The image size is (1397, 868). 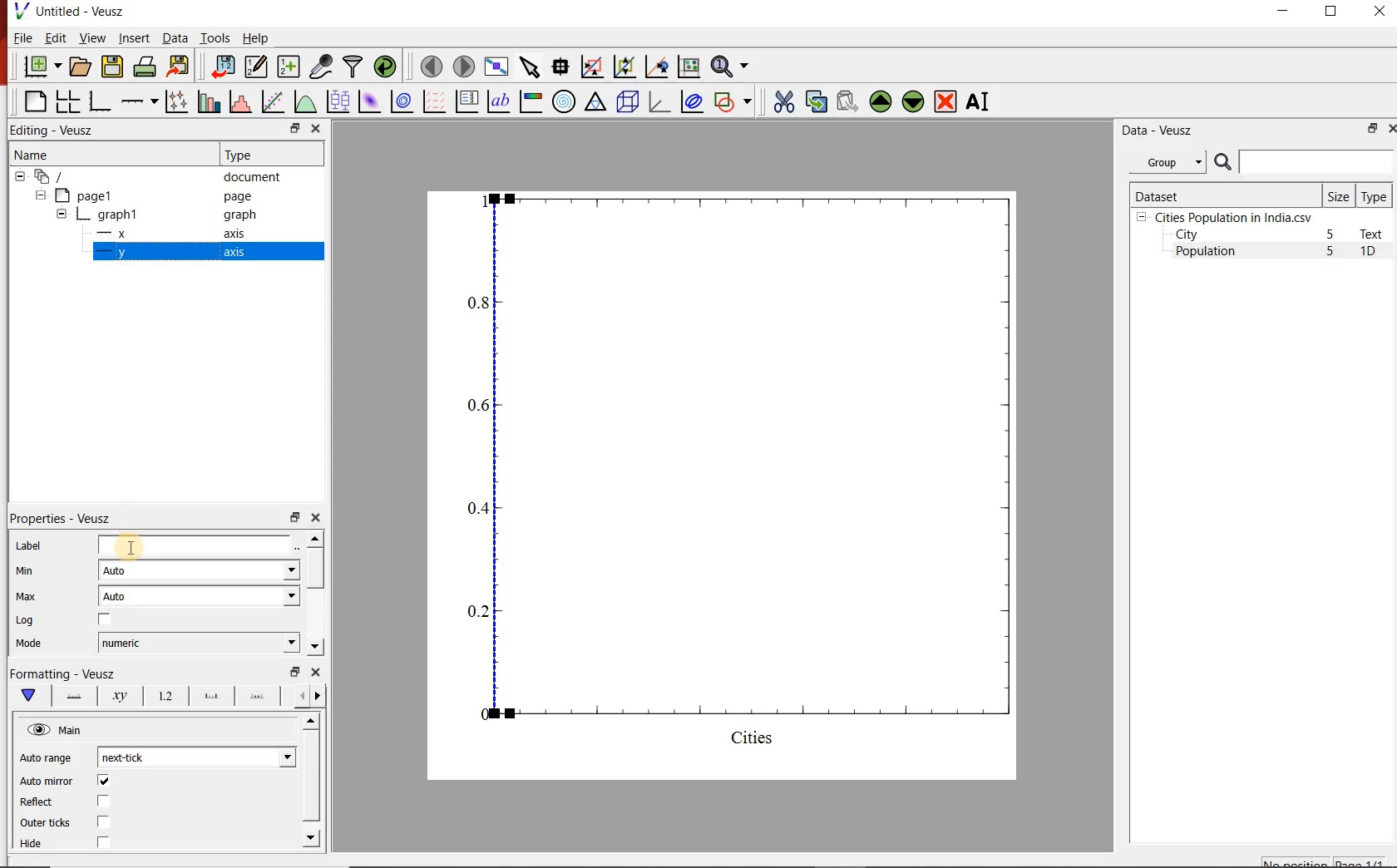 I want to click on Label, so click(x=27, y=545).